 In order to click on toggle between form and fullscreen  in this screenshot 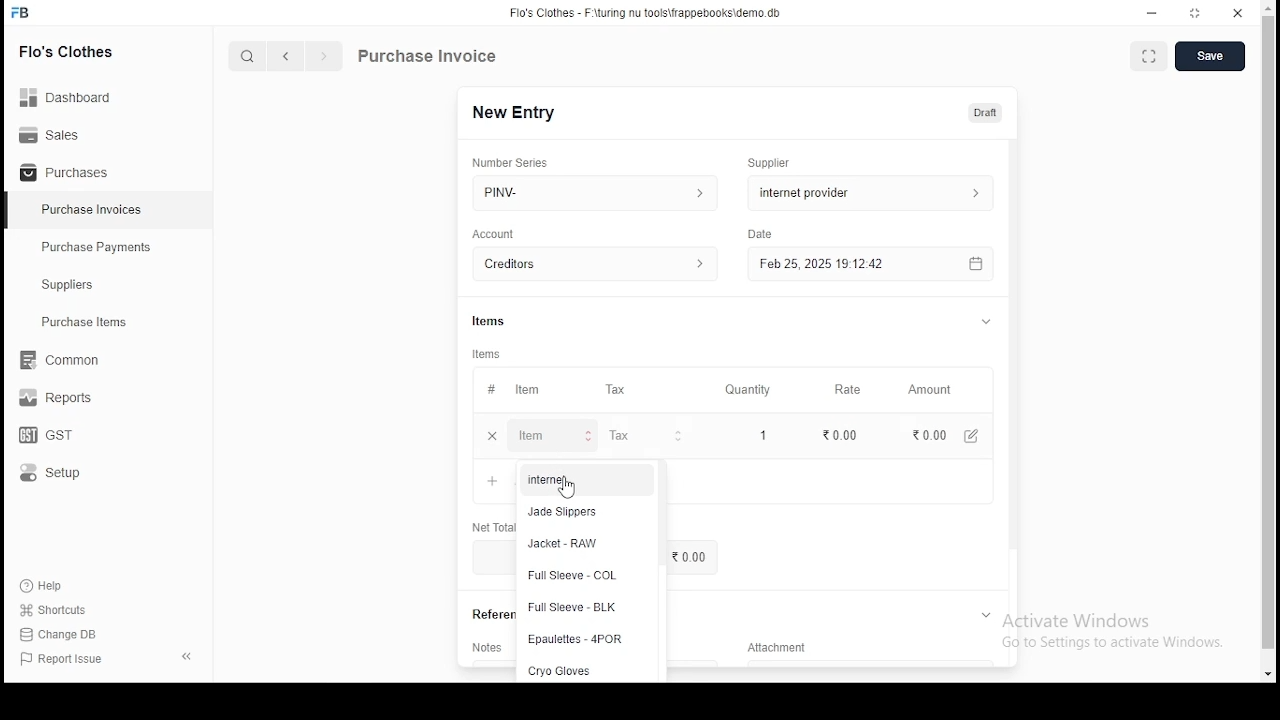, I will do `click(1149, 55)`.